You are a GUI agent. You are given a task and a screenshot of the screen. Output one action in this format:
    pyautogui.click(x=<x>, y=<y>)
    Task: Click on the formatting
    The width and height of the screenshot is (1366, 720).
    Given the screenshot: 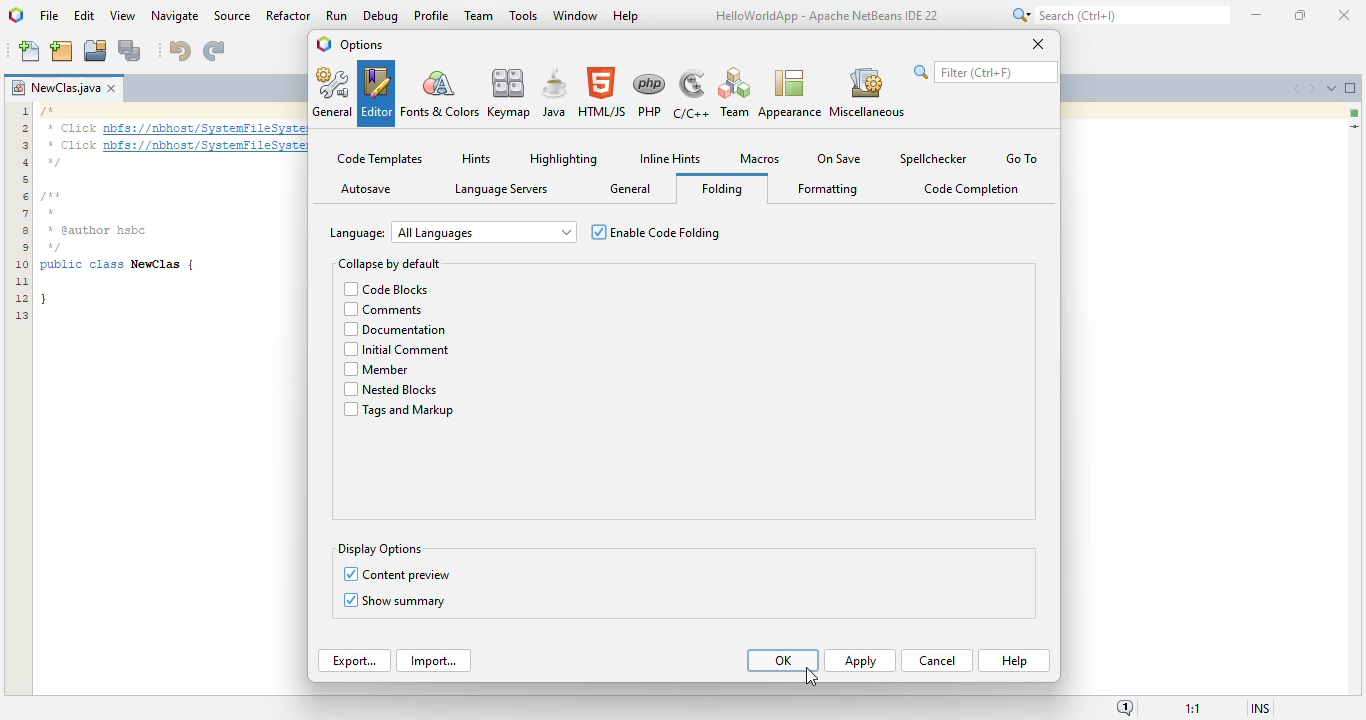 What is the action you would take?
    pyautogui.click(x=829, y=189)
    